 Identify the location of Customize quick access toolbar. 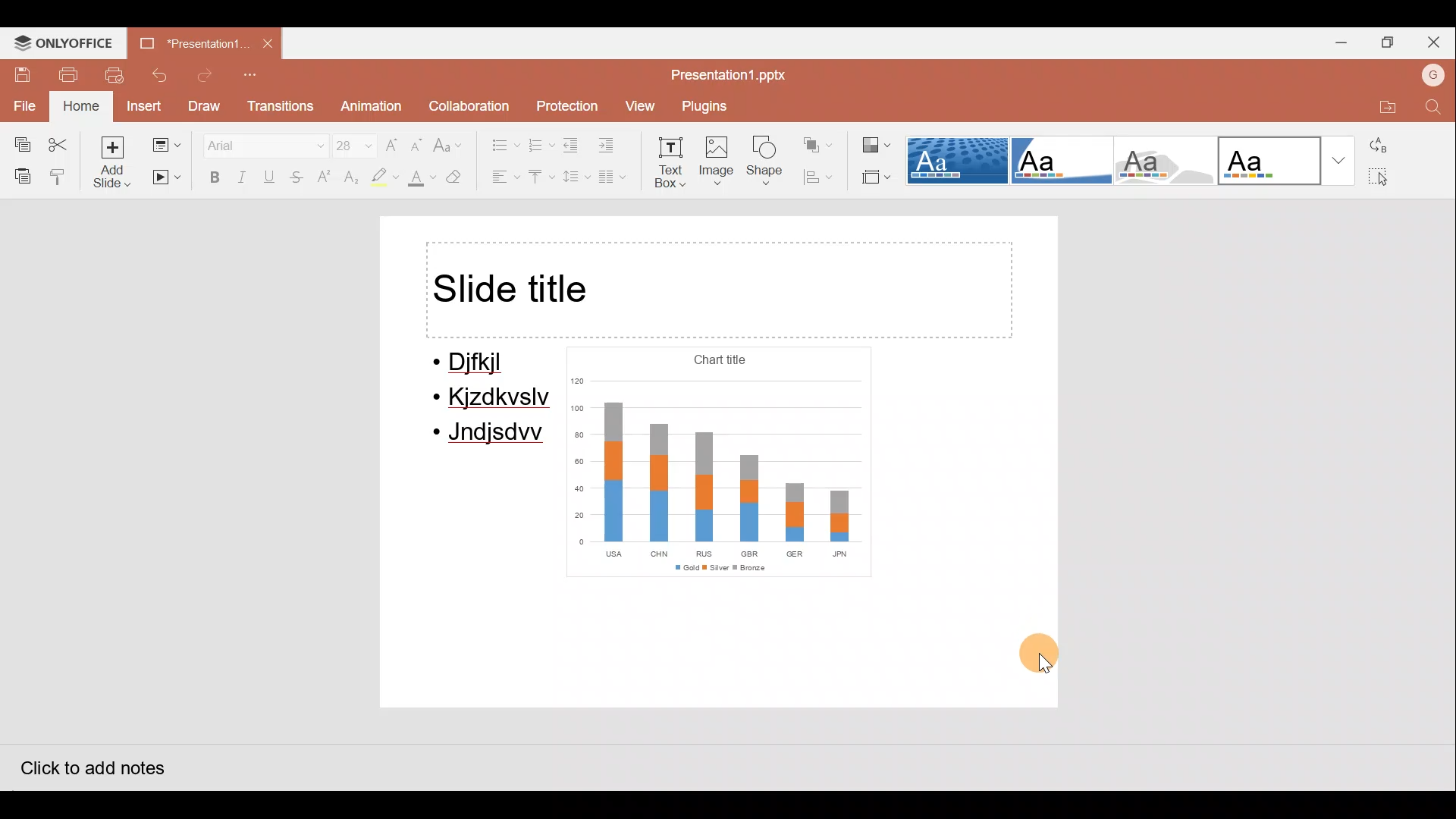
(258, 74).